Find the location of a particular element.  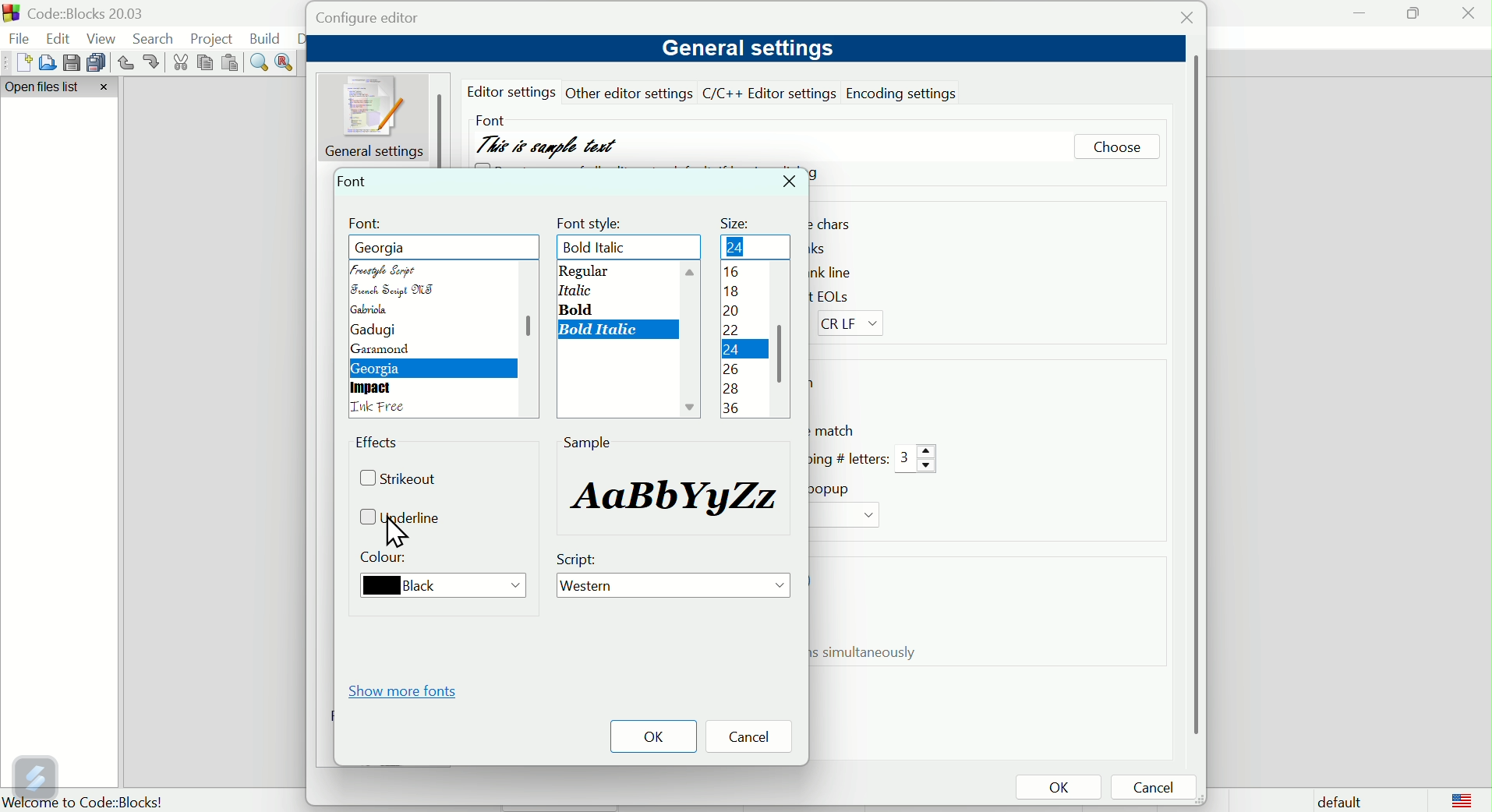

bold is located at coordinates (581, 309).